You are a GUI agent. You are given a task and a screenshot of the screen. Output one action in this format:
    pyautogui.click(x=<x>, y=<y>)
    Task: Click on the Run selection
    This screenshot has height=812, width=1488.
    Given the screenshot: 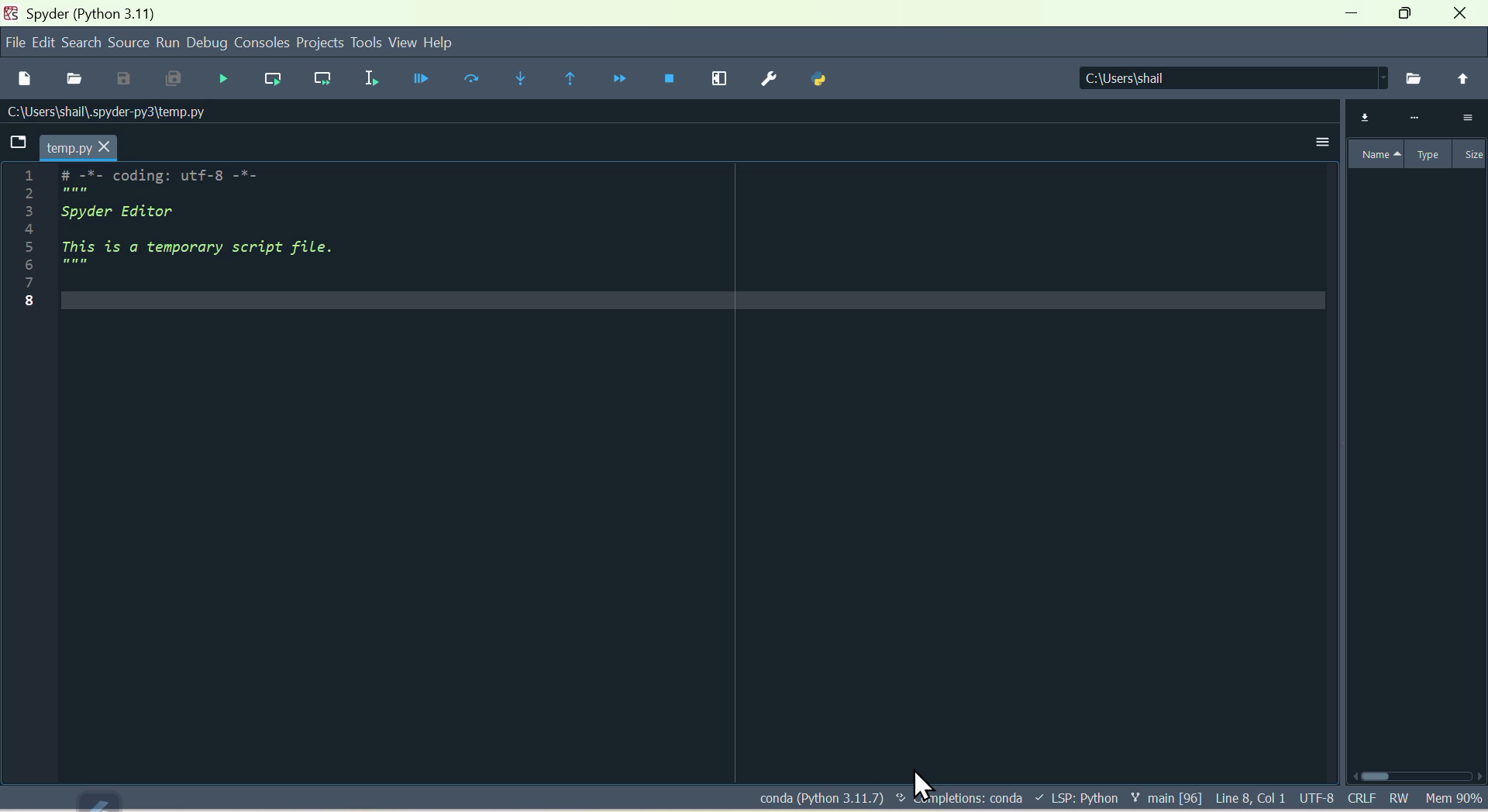 What is the action you would take?
    pyautogui.click(x=367, y=80)
    